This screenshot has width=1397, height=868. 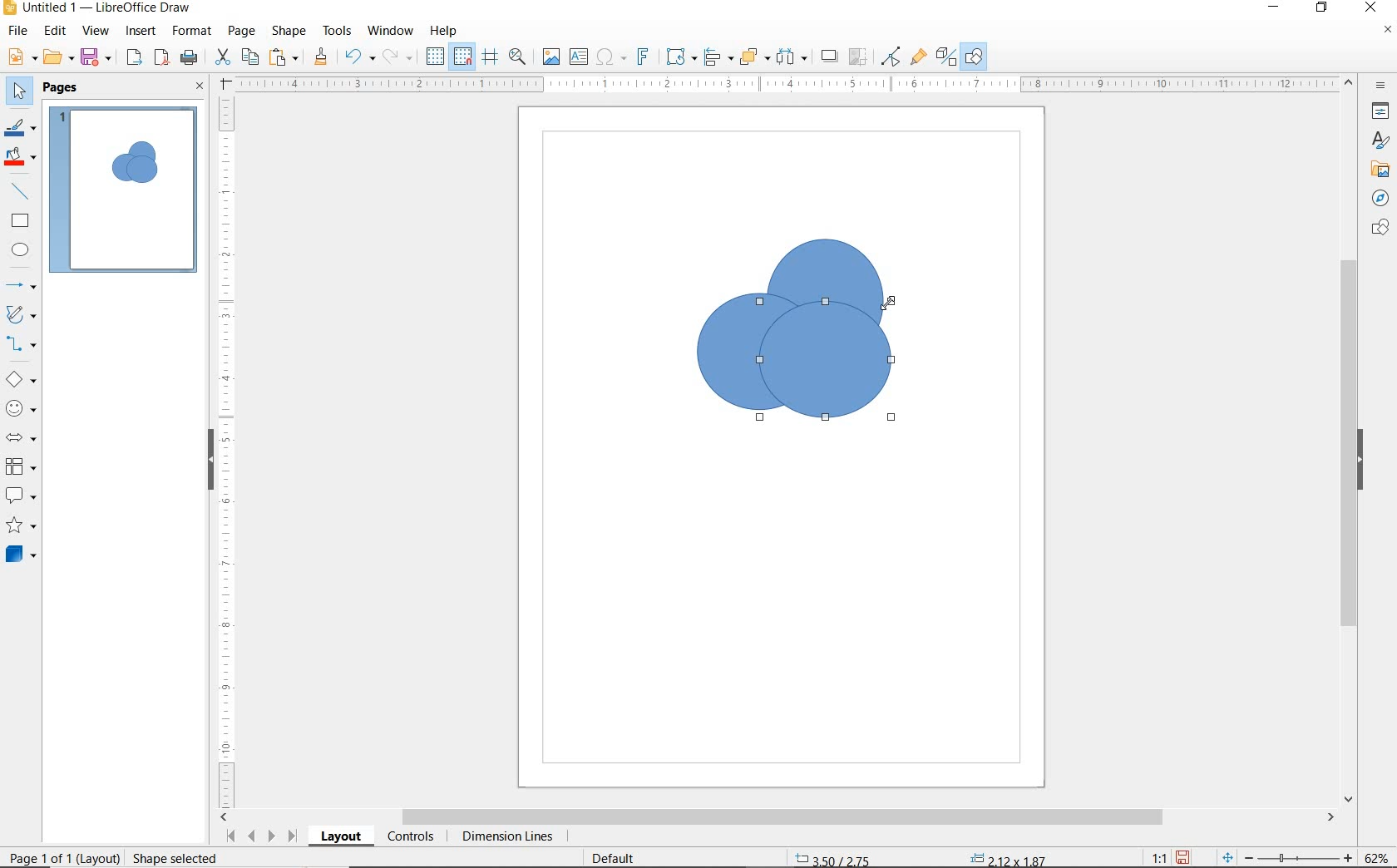 What do you see at coordinates (259, 836) in the screenshot?
I see `SCROLL NEXT` at bounding box center [259, 836].